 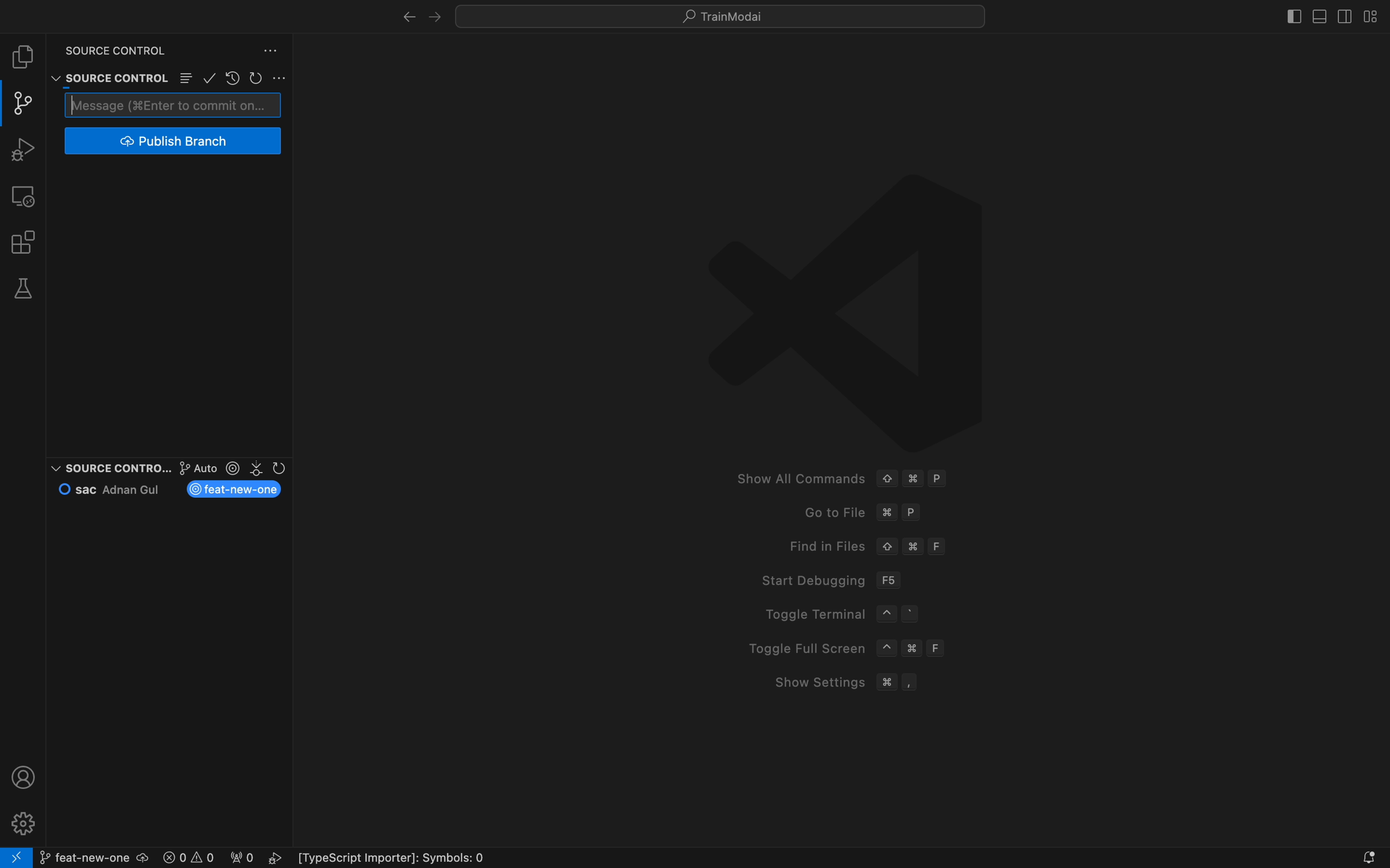 I want to click on search bar, so click(x=728, y=16).